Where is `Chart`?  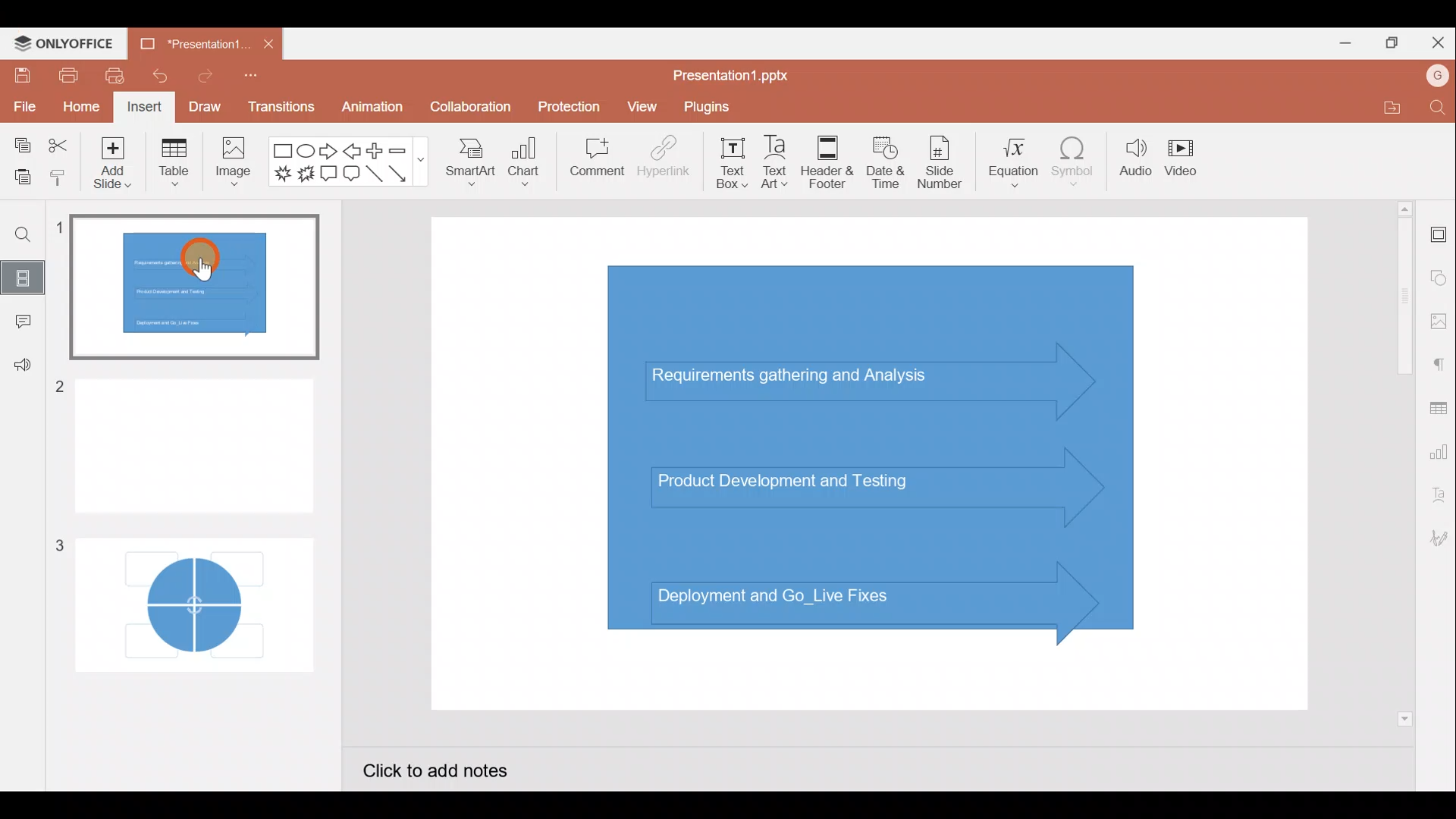 Chart is located at coordinates (528, 166).